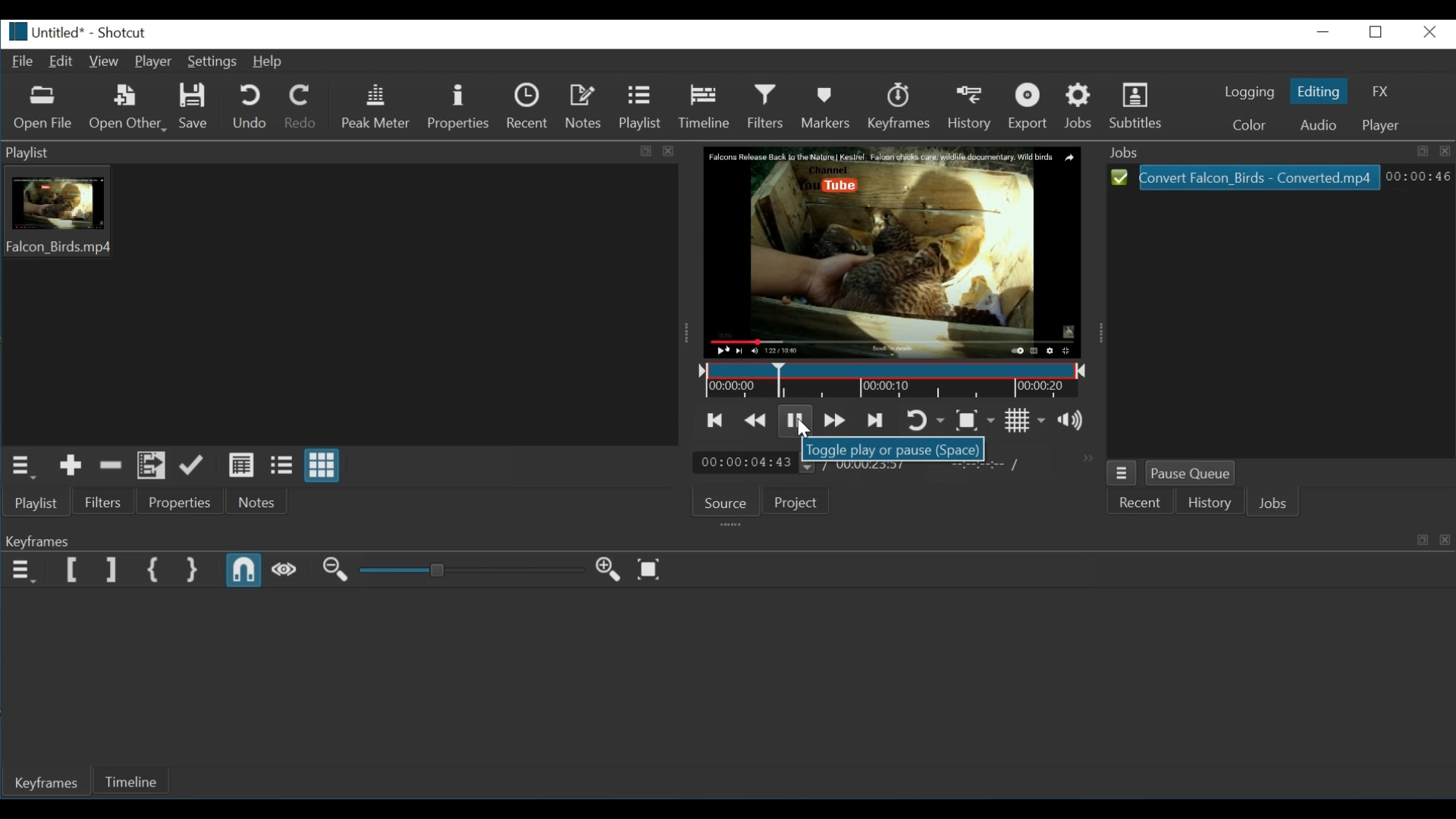 This screenshot has width=1456, height=819. What do you see at coordinates (890, 380) in the screenshot?
I see `Timeline` at bounding box center [890, 380].